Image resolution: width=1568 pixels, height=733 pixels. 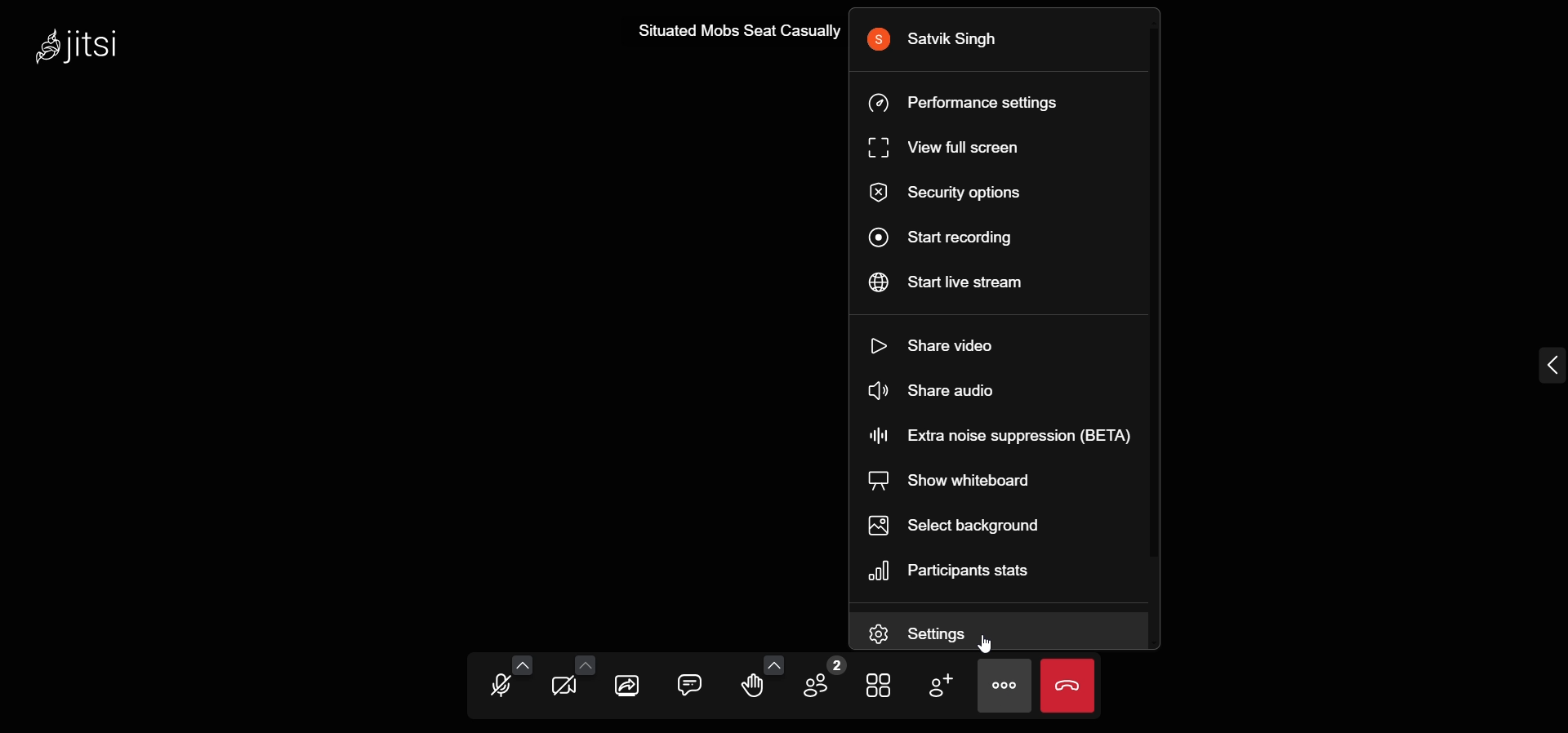 I want to click on share screen, so click(x=630, y=682).